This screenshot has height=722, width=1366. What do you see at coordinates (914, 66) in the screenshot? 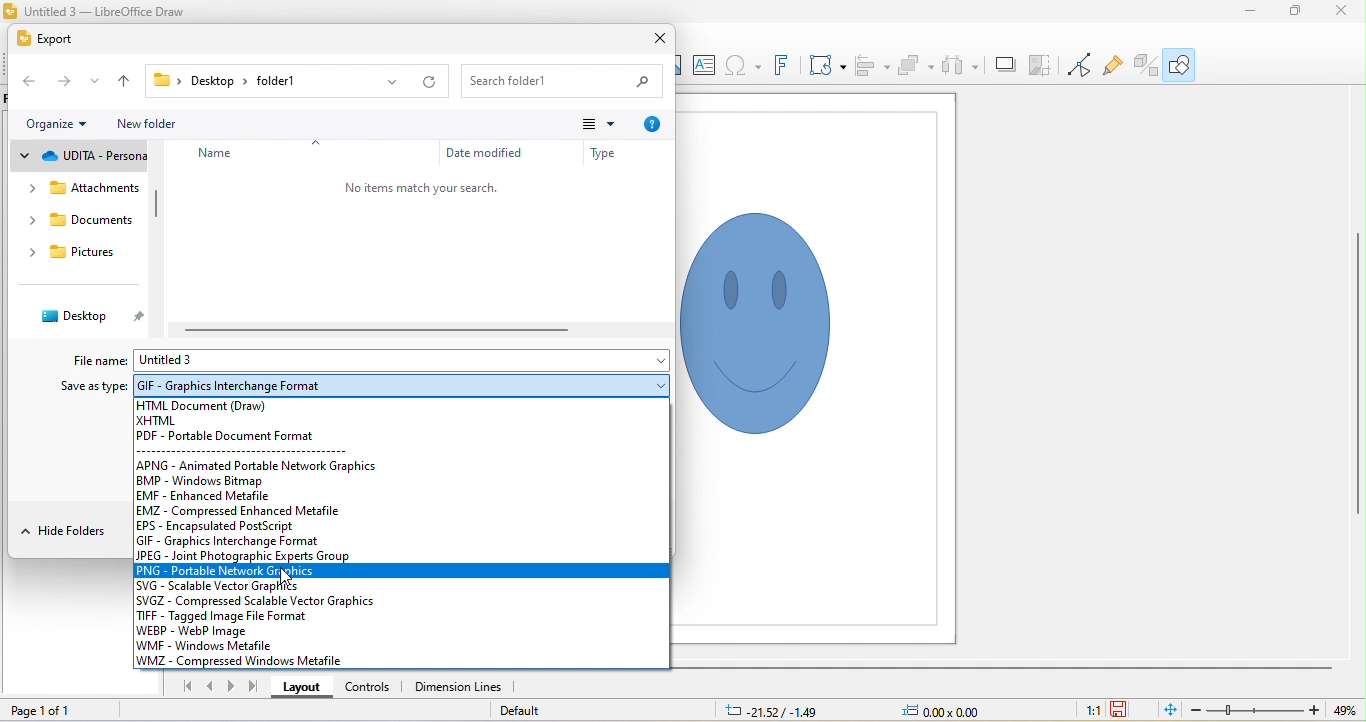
I see `arrange` at bounding box center [914, 66].